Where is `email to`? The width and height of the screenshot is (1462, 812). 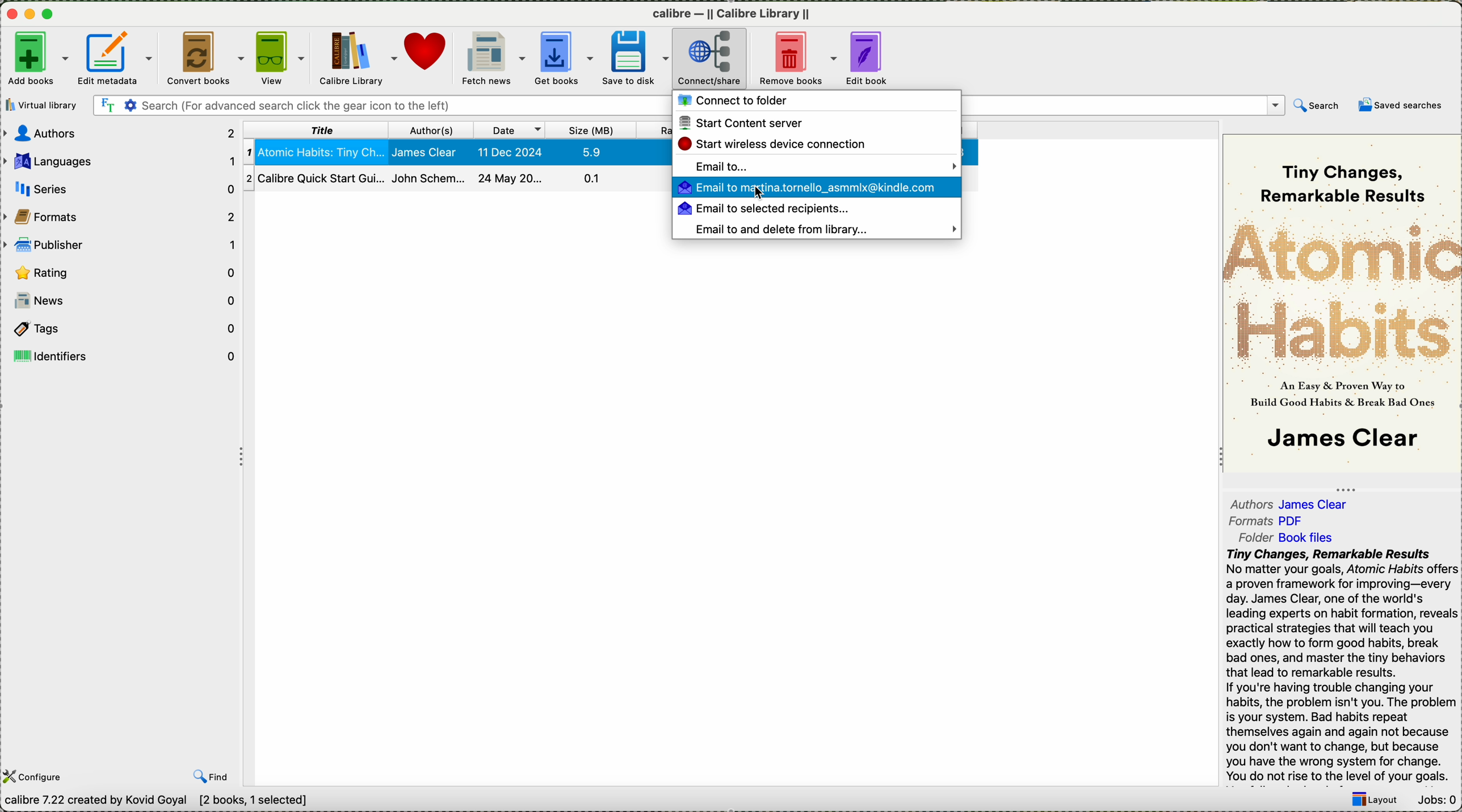
email to is located at coordinates (816, 165).